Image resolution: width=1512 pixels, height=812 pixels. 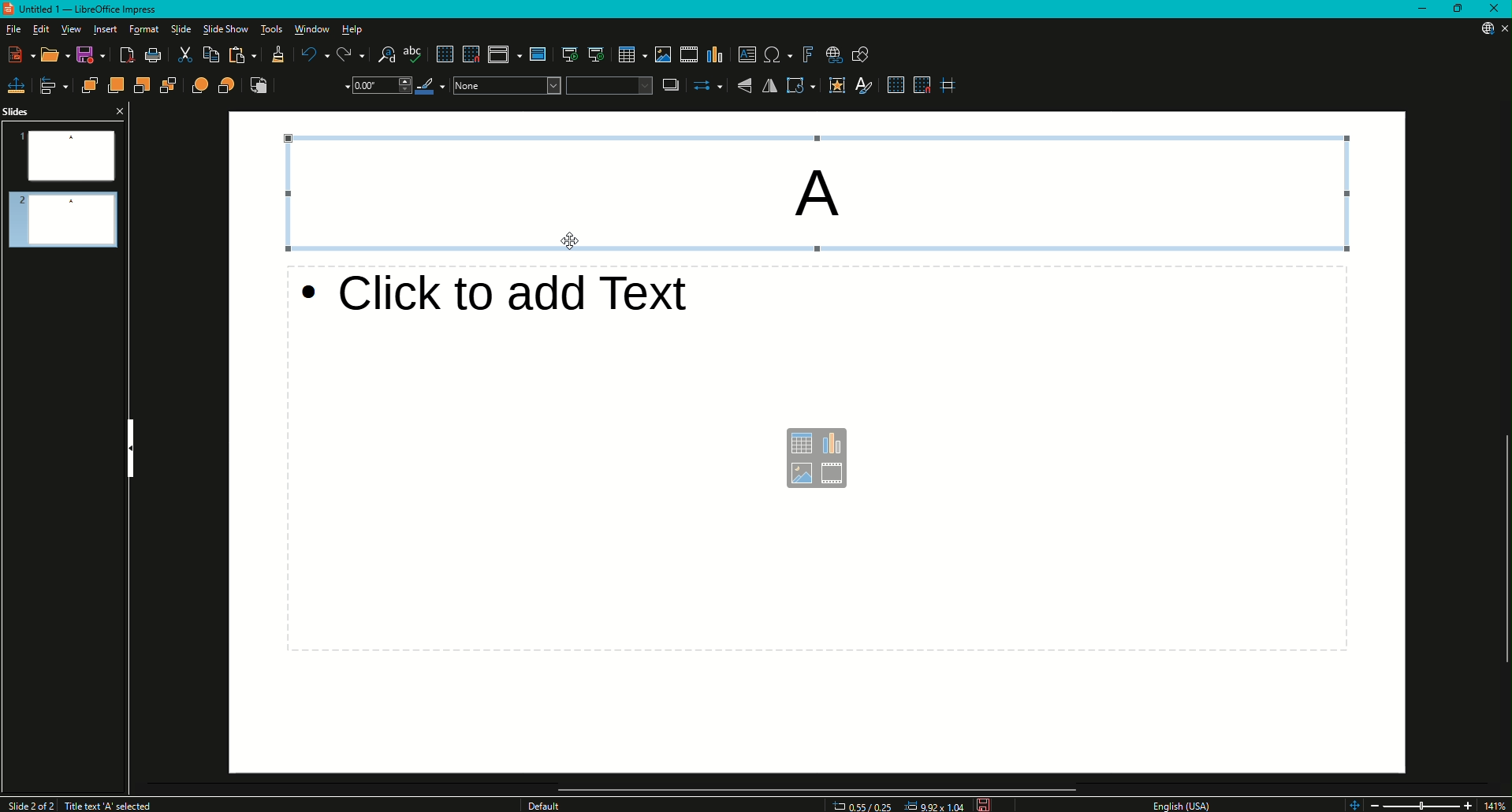 I want to click on Zoom Out, so click(x=1381, y=803).